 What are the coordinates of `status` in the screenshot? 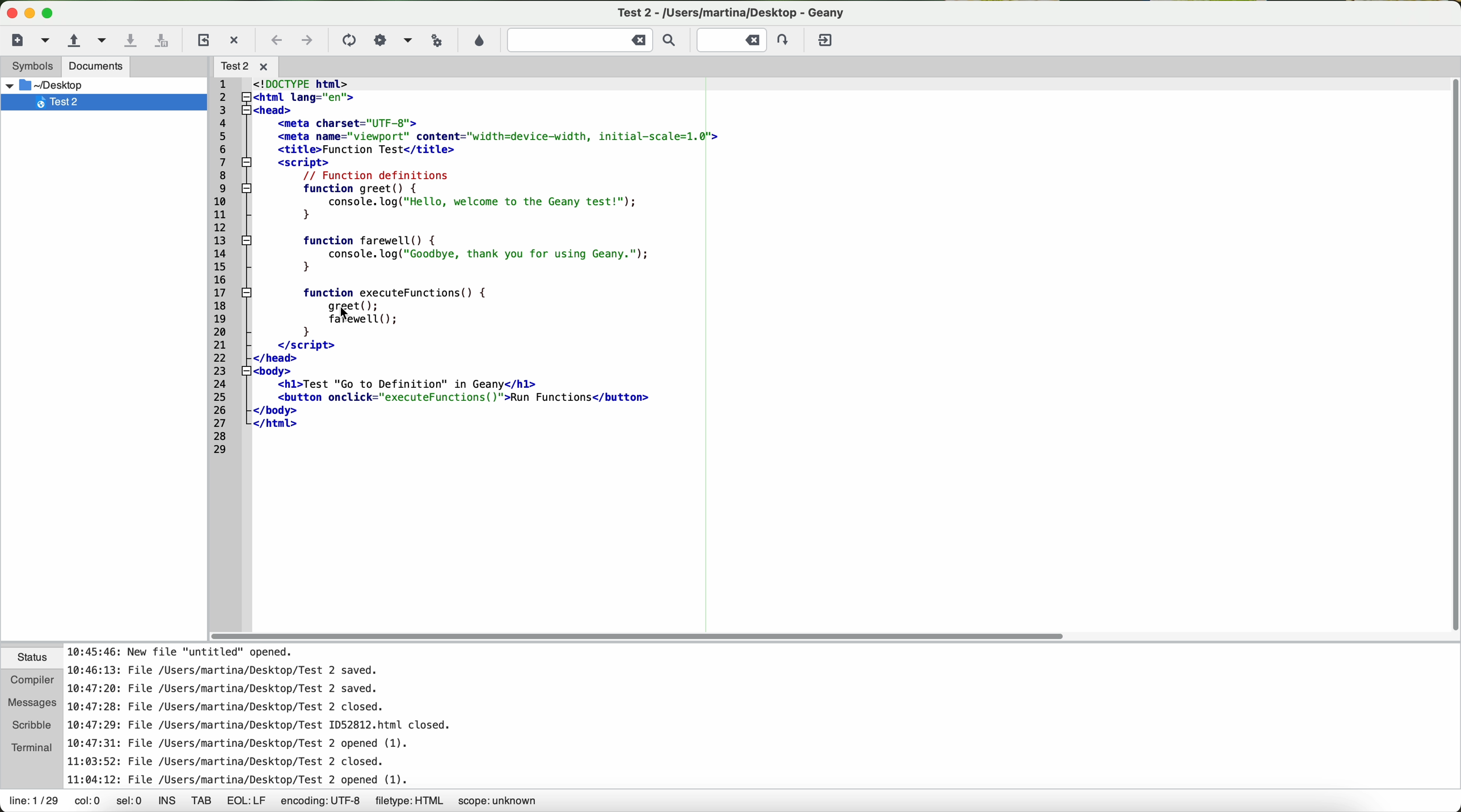 It's located at (30, 659).